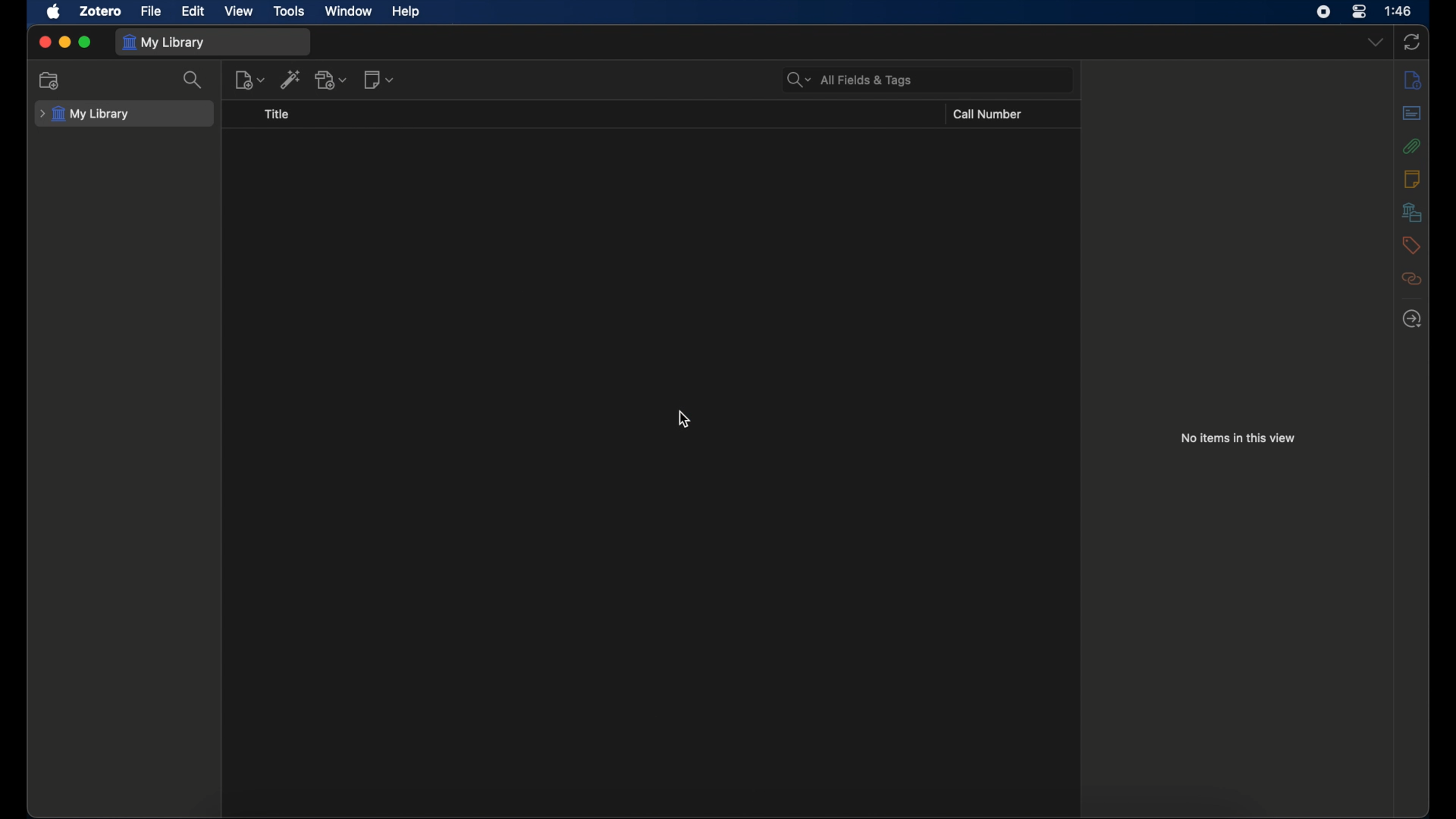 This screenshot has height=819, width=1456. Describe the element at coordinates (277, 115) in the screenshot. I see `title` at that location.